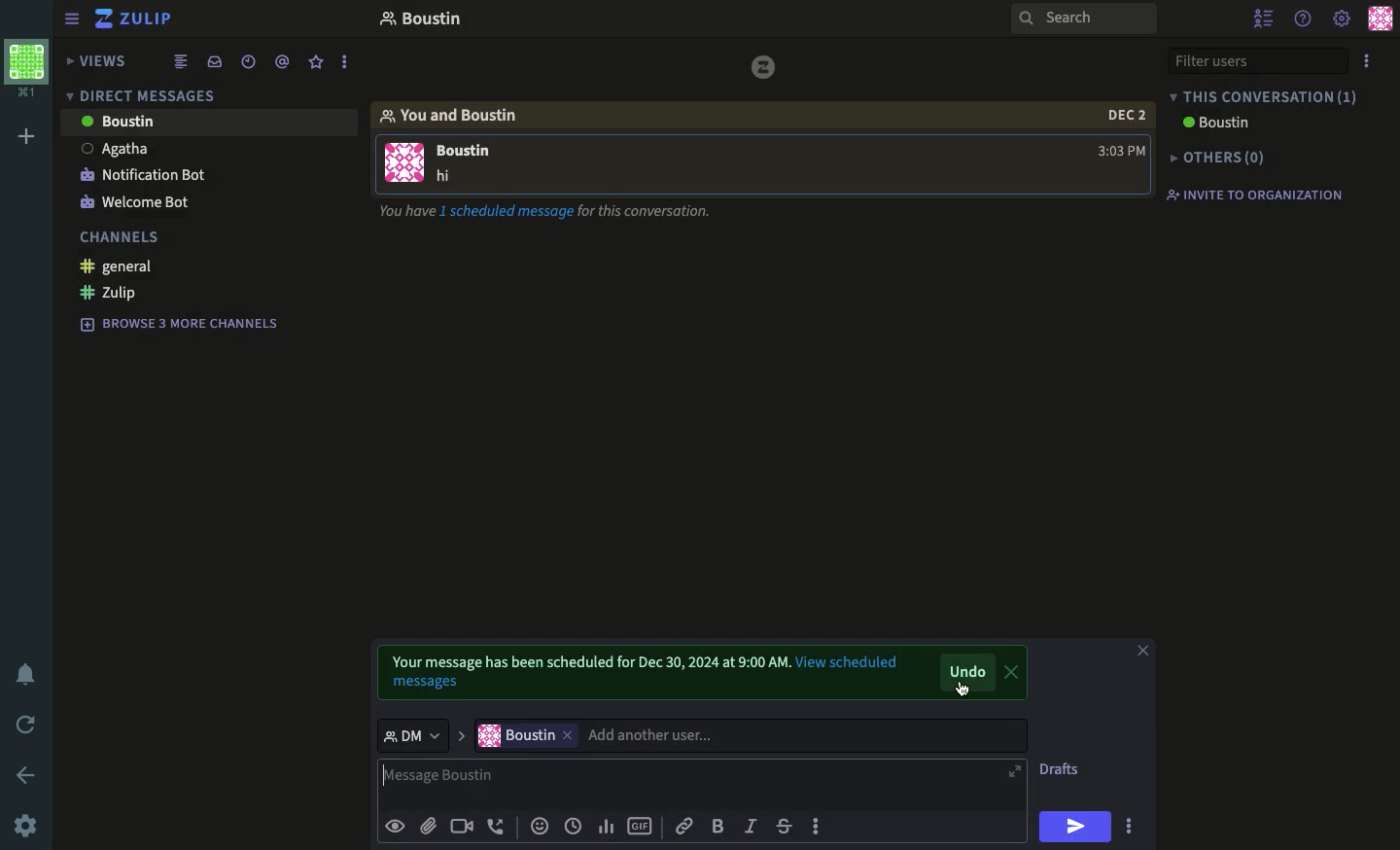  I want to click on zulip, so click(114, 292).